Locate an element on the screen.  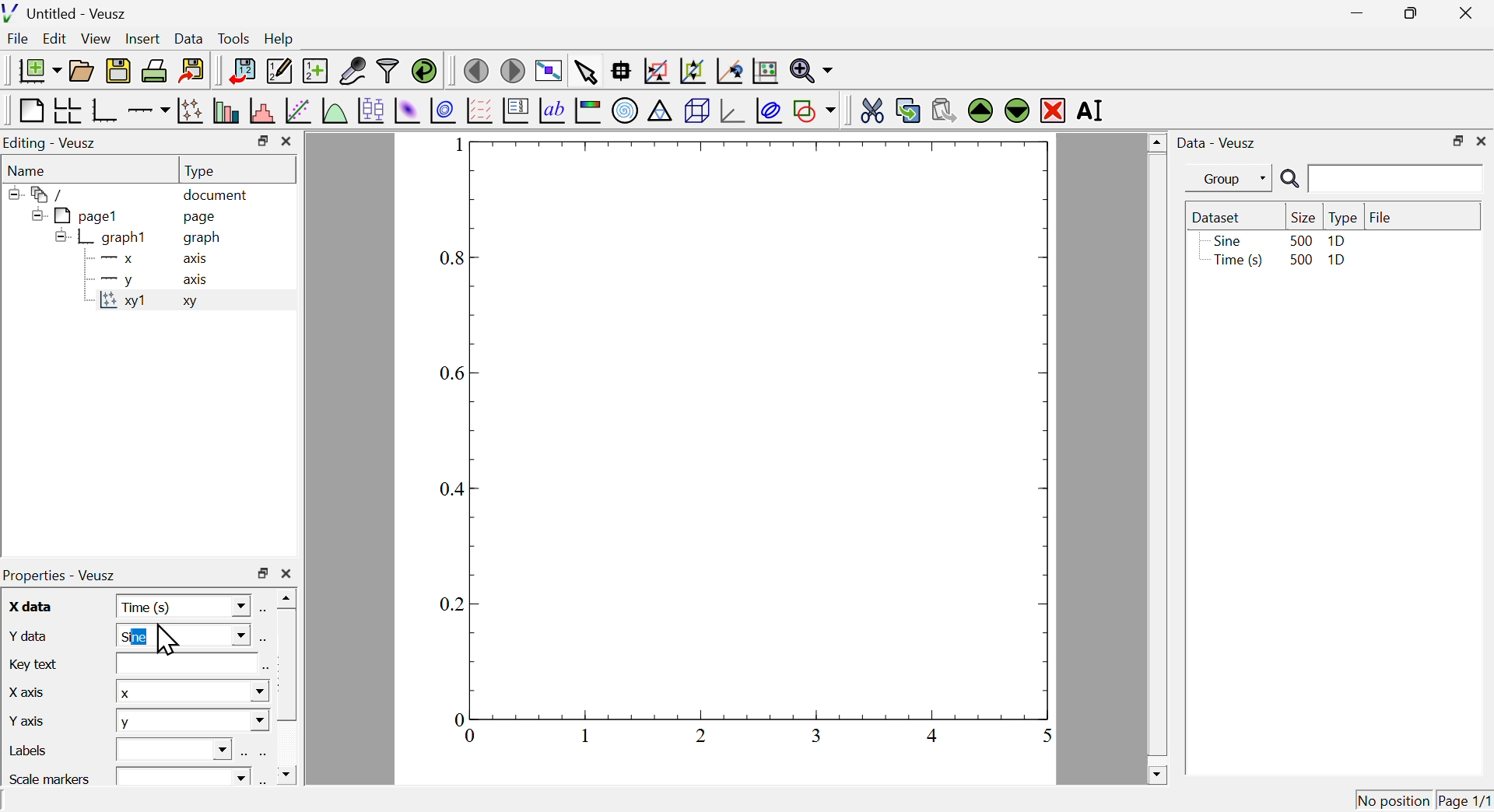
text box is located at coordinates (184, 664).